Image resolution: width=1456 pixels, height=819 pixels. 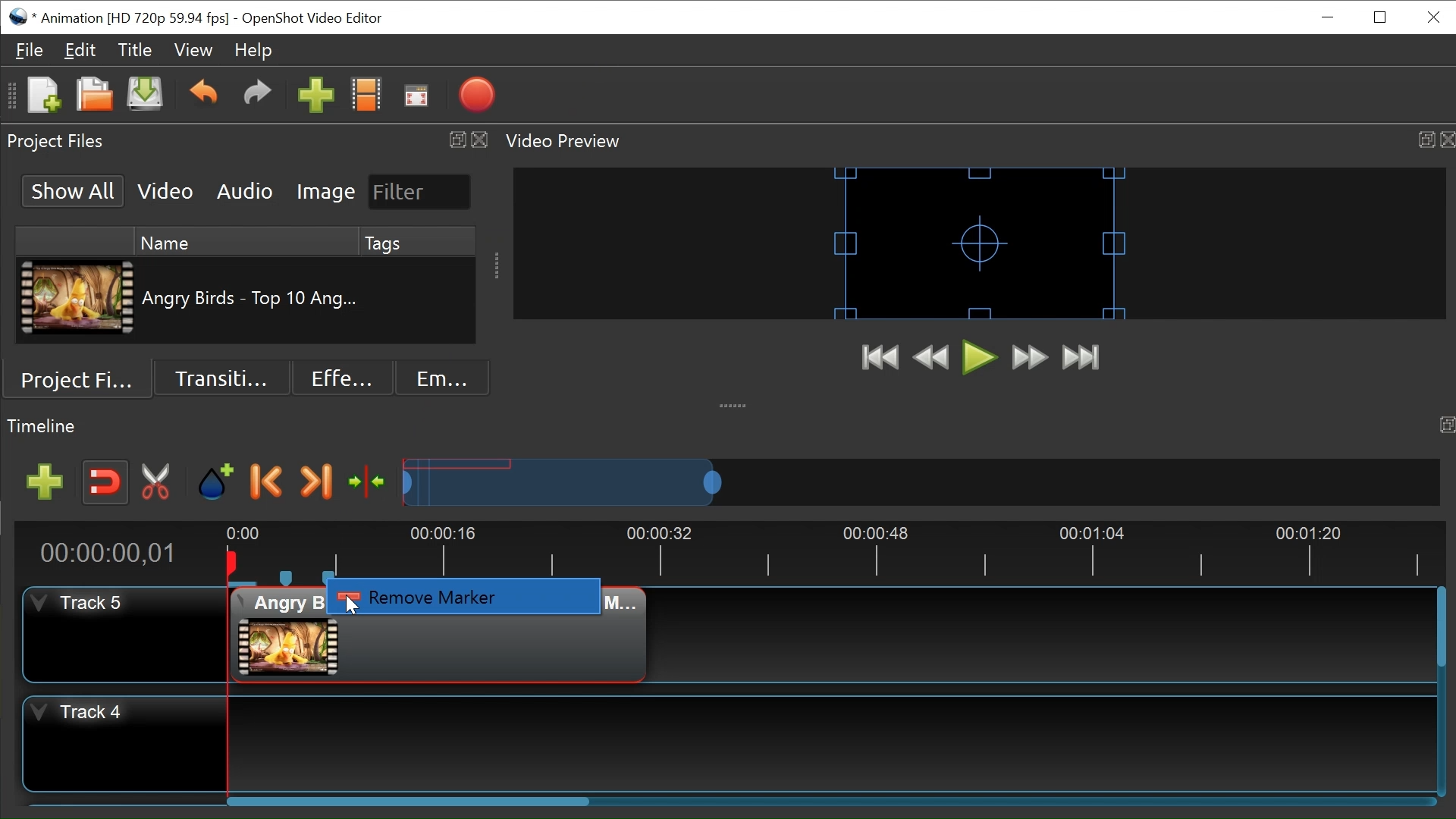 I want to click on Edit, so click(x=80, y=52).